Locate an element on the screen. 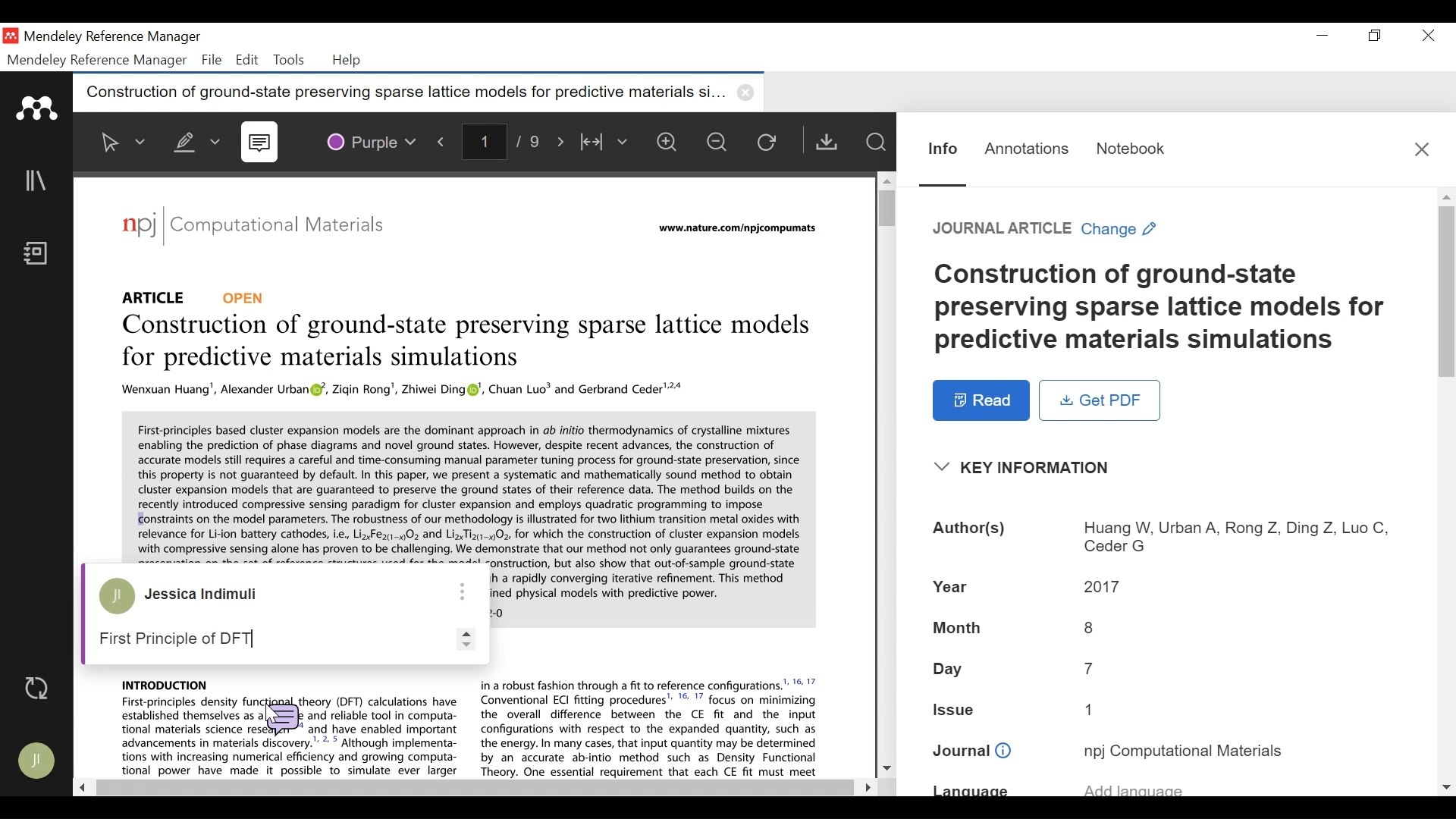  Title: Construction of ground-state preserving sparse lattice models for predictive materials simulations is located at coordinates (462, 343).